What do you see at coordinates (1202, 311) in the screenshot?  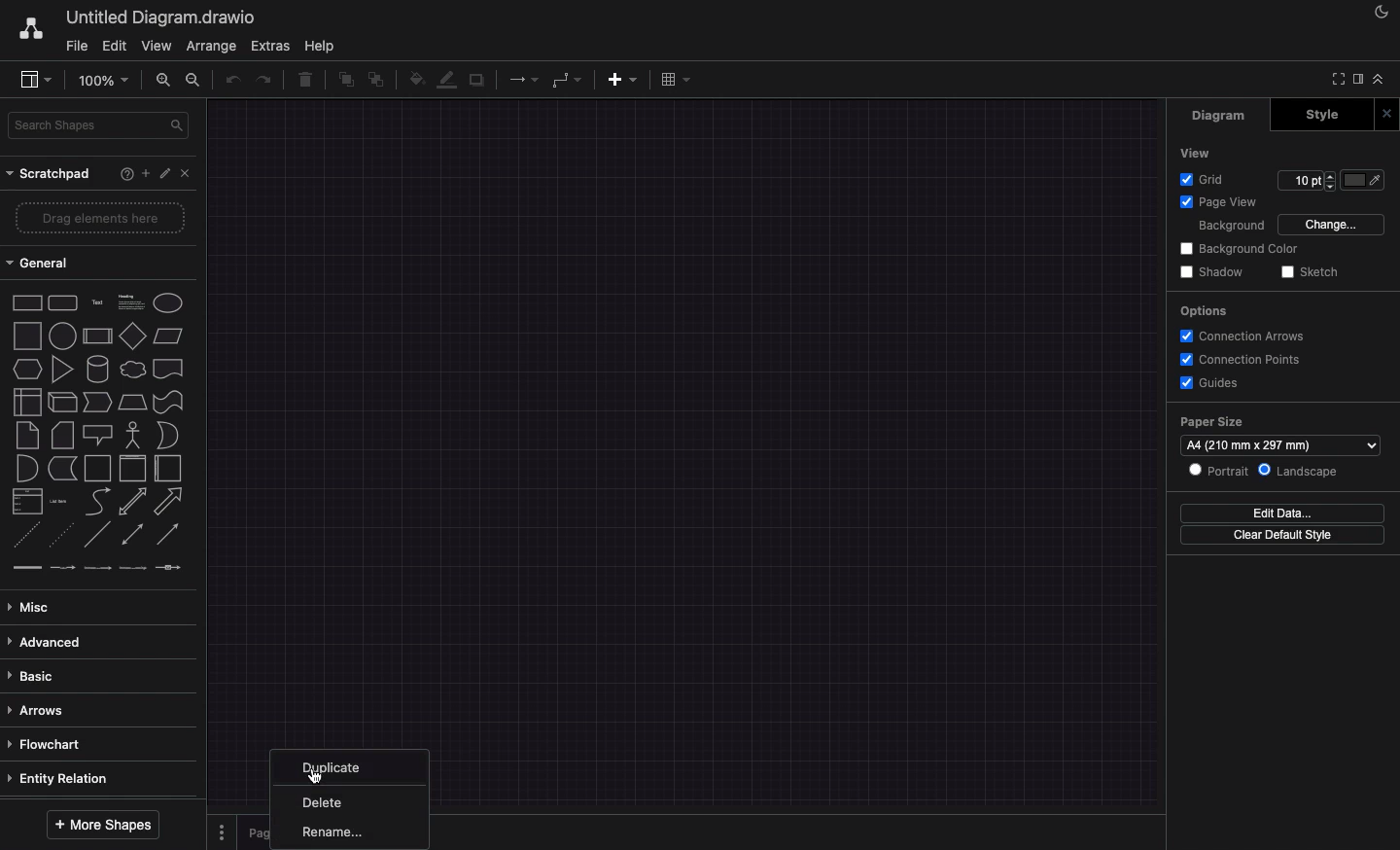 I see `options` at bounding box center [1202, 311].